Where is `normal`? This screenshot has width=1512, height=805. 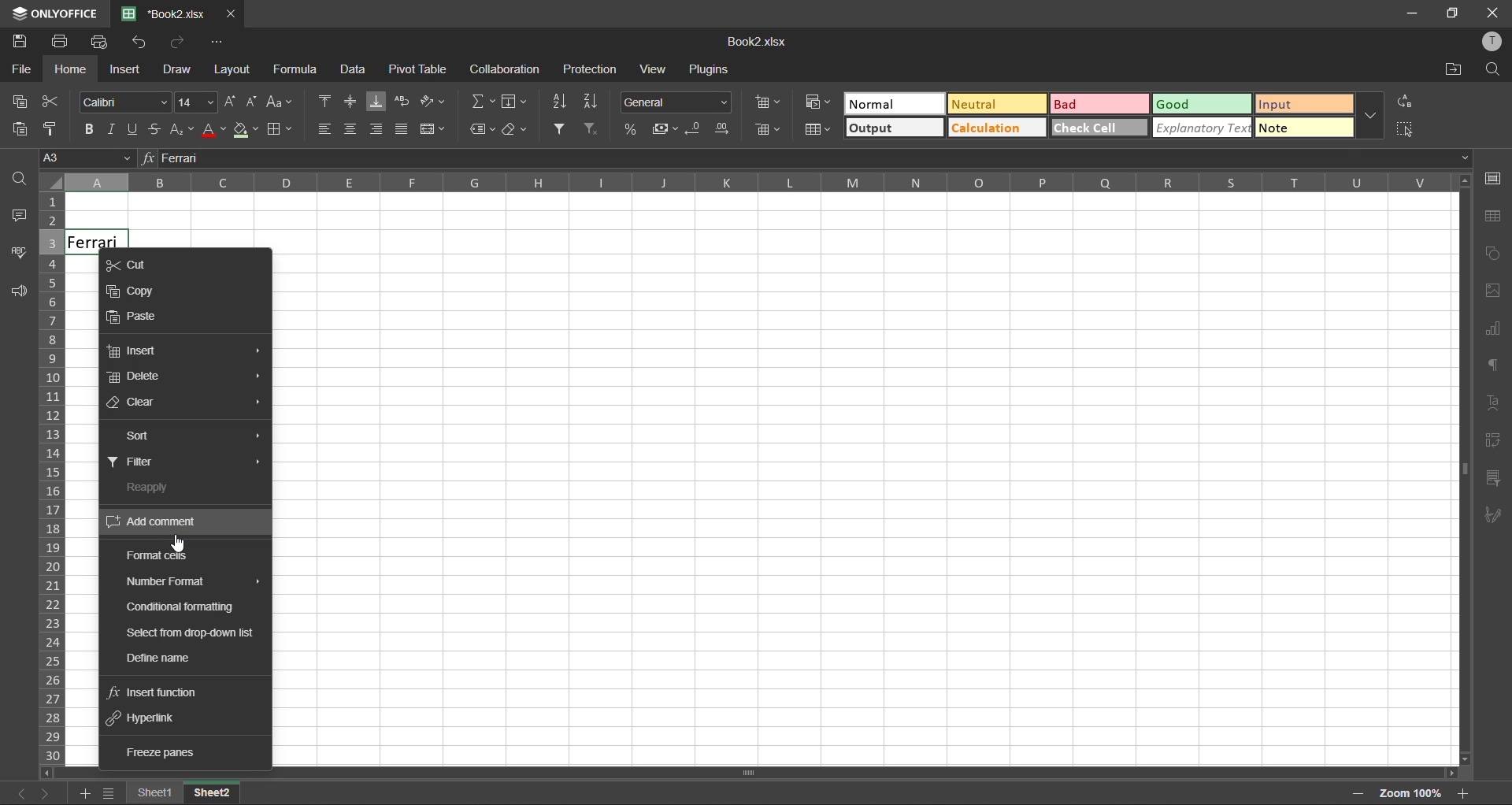
normal is located at coordinates (888, 104).